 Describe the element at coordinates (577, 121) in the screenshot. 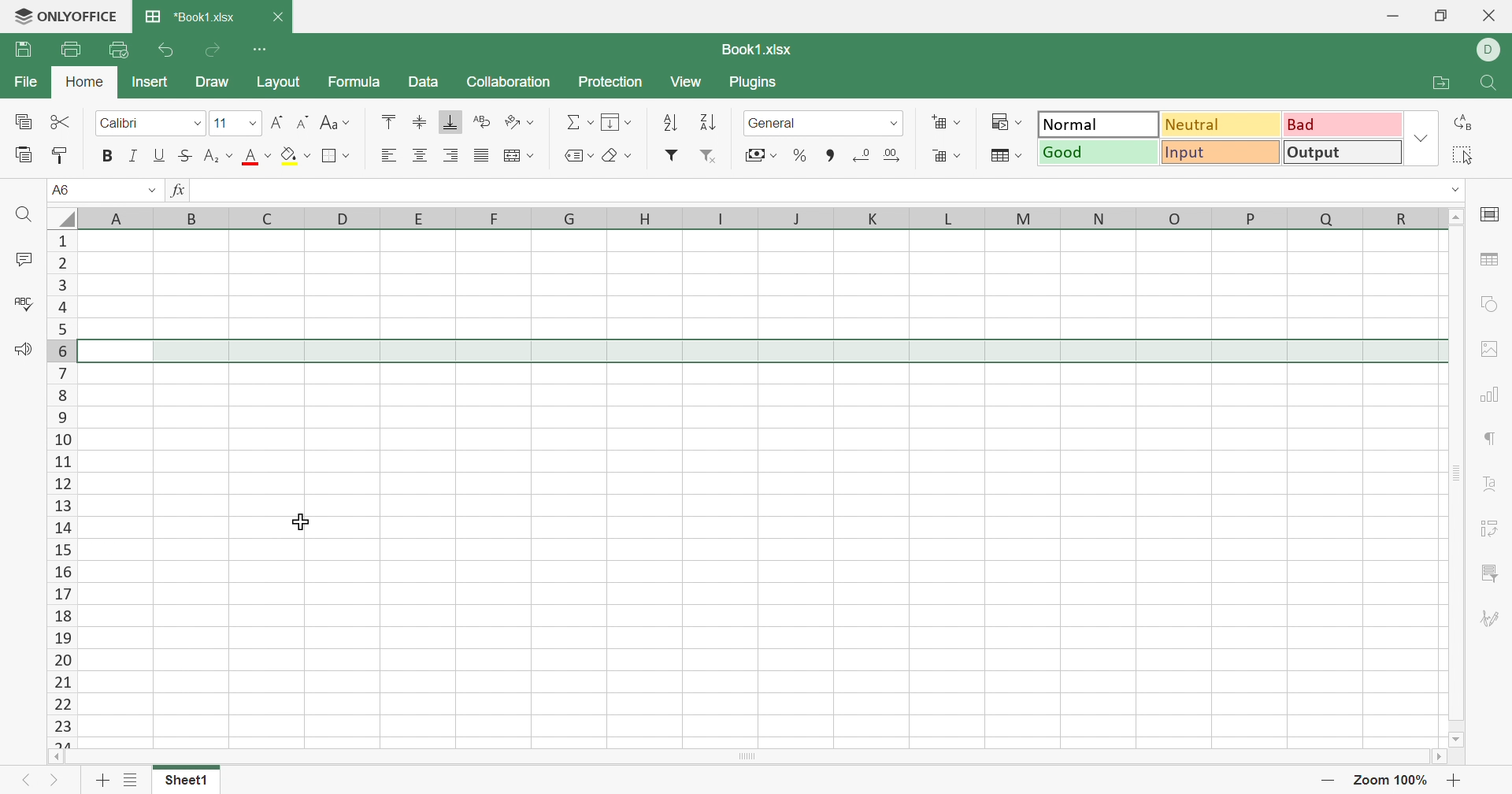

I see `Summation` at that location.